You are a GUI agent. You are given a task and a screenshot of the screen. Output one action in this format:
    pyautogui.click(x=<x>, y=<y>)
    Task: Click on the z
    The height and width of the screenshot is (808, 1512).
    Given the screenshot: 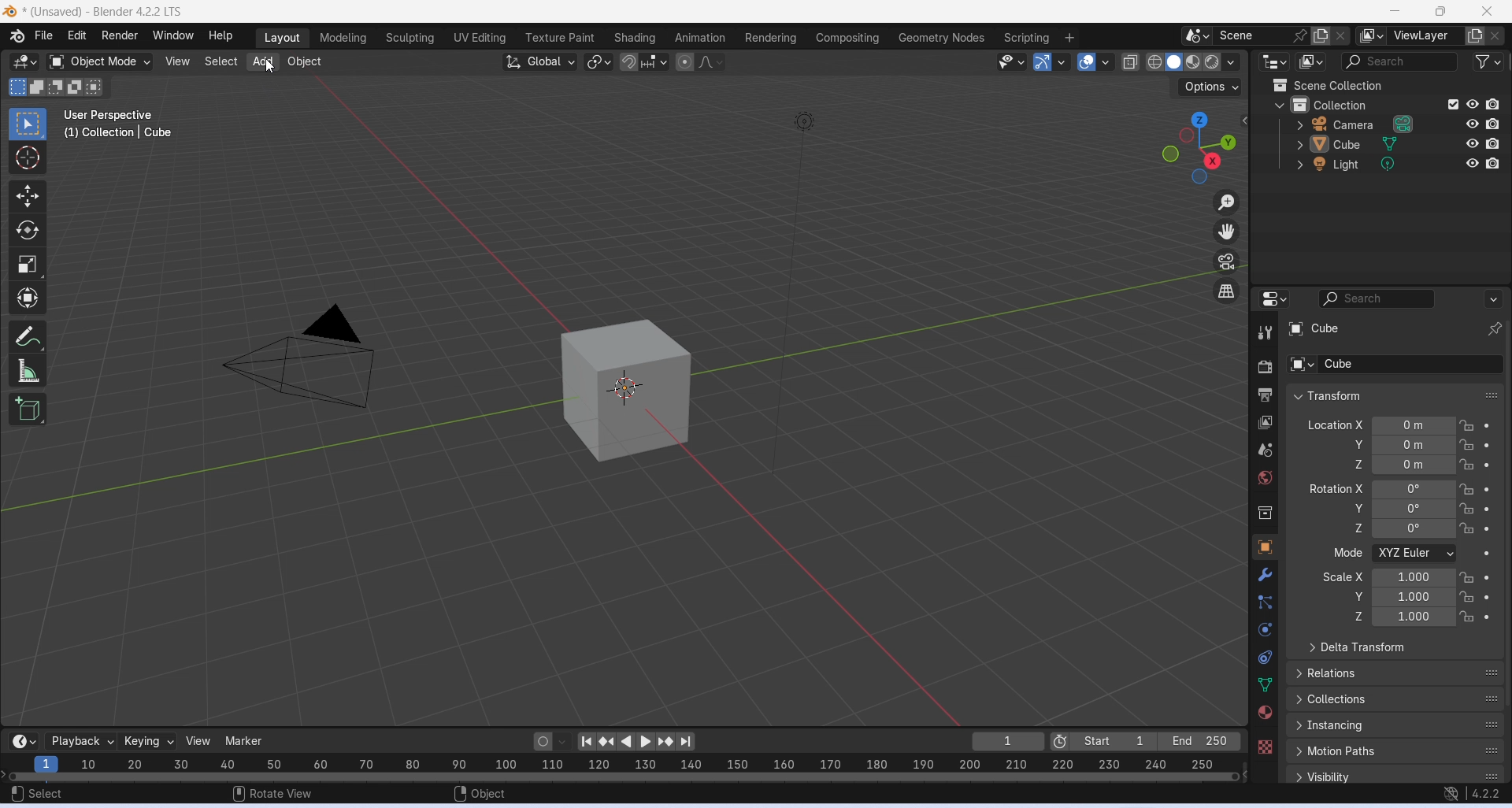 What is the action you would take?
    pyautogui.click(x=1354, y=464)
    